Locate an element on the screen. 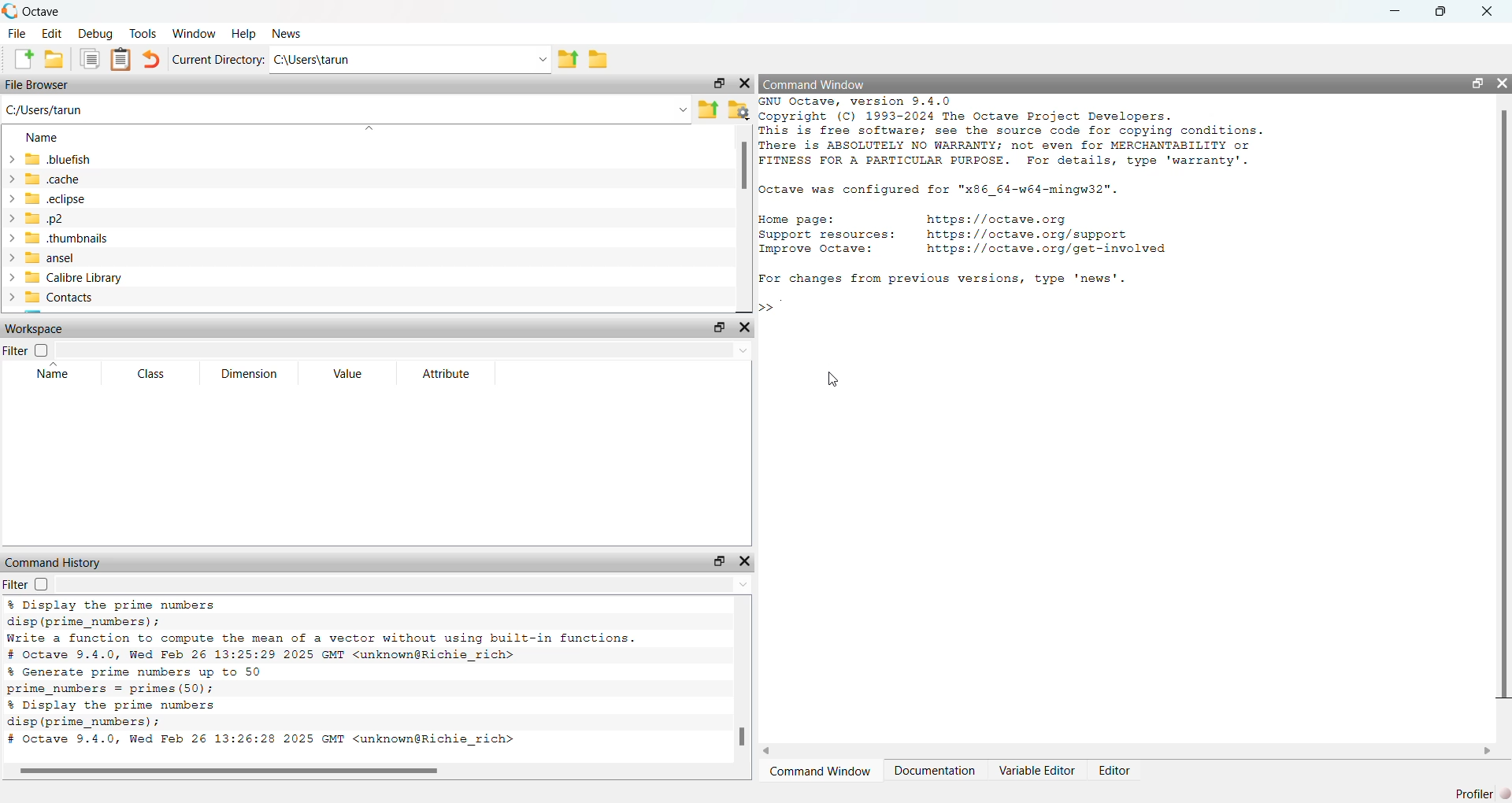 This screenshot has width=1512, height=803. Dimension is located at coordinates (252, 373).